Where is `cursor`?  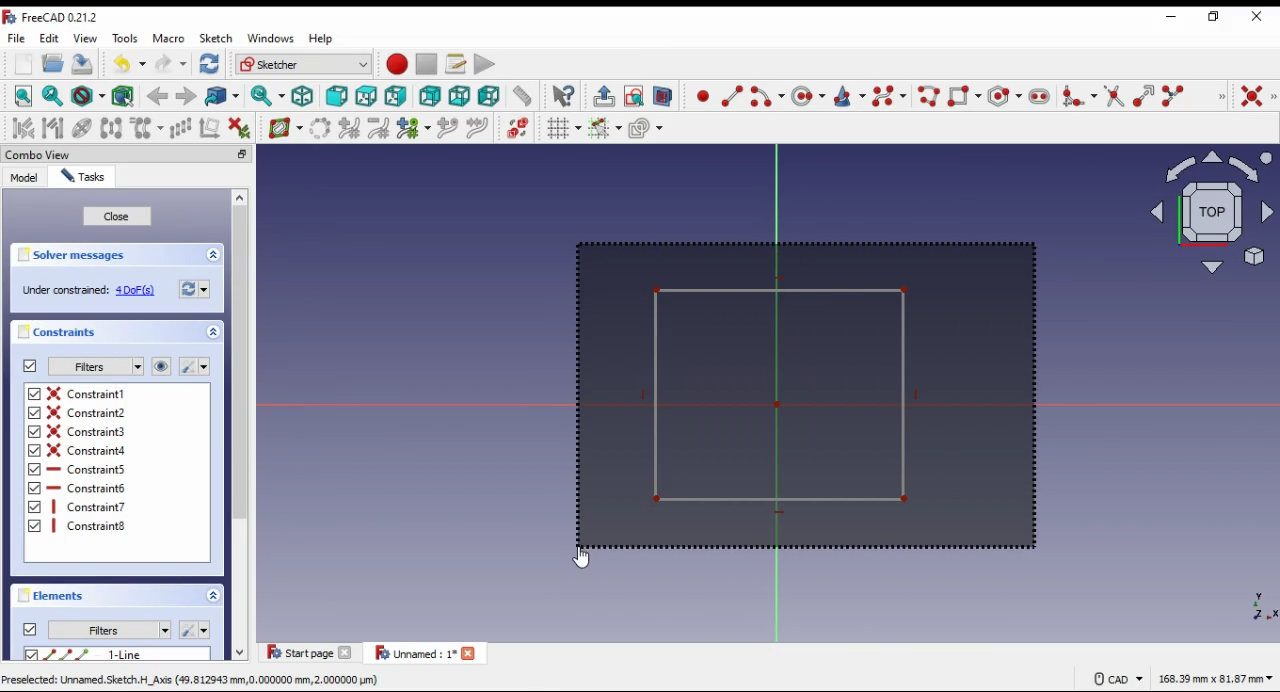 cursor is located at coordinates (584, 556).